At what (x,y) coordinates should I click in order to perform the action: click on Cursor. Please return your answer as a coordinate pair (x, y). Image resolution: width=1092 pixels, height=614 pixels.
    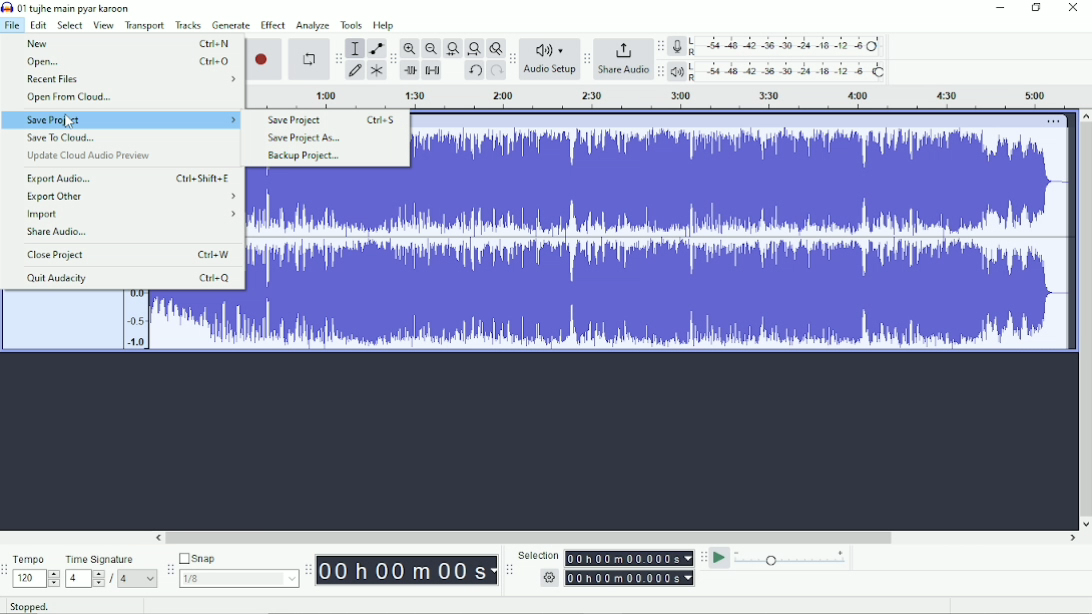
    Looking at the image, I should click on (69, 121).